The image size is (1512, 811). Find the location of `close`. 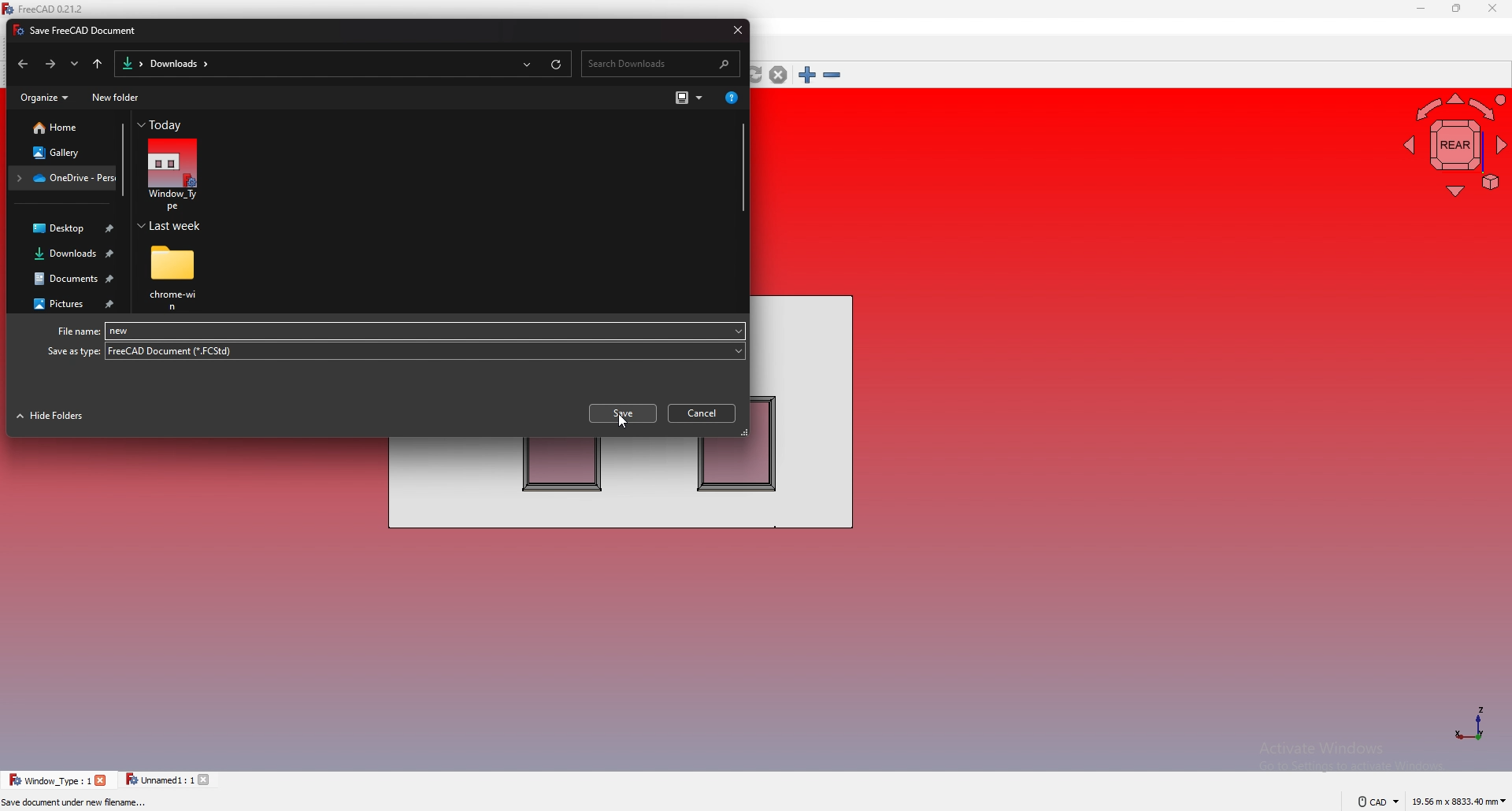

close is located at coordinates (733, 29).